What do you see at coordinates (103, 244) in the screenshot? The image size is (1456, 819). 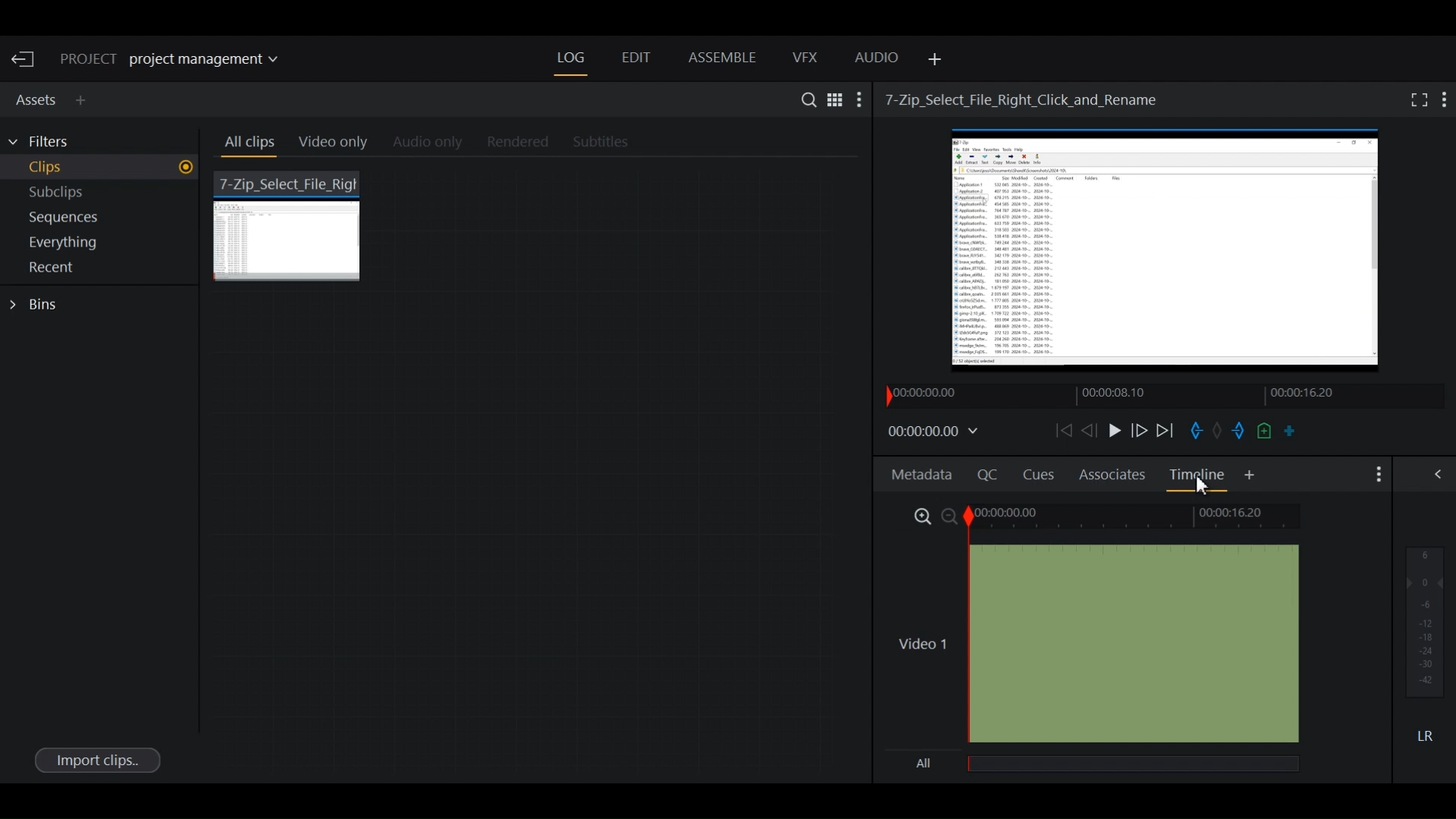 I see `Show everything in current project` at bounding box center [103, 244].